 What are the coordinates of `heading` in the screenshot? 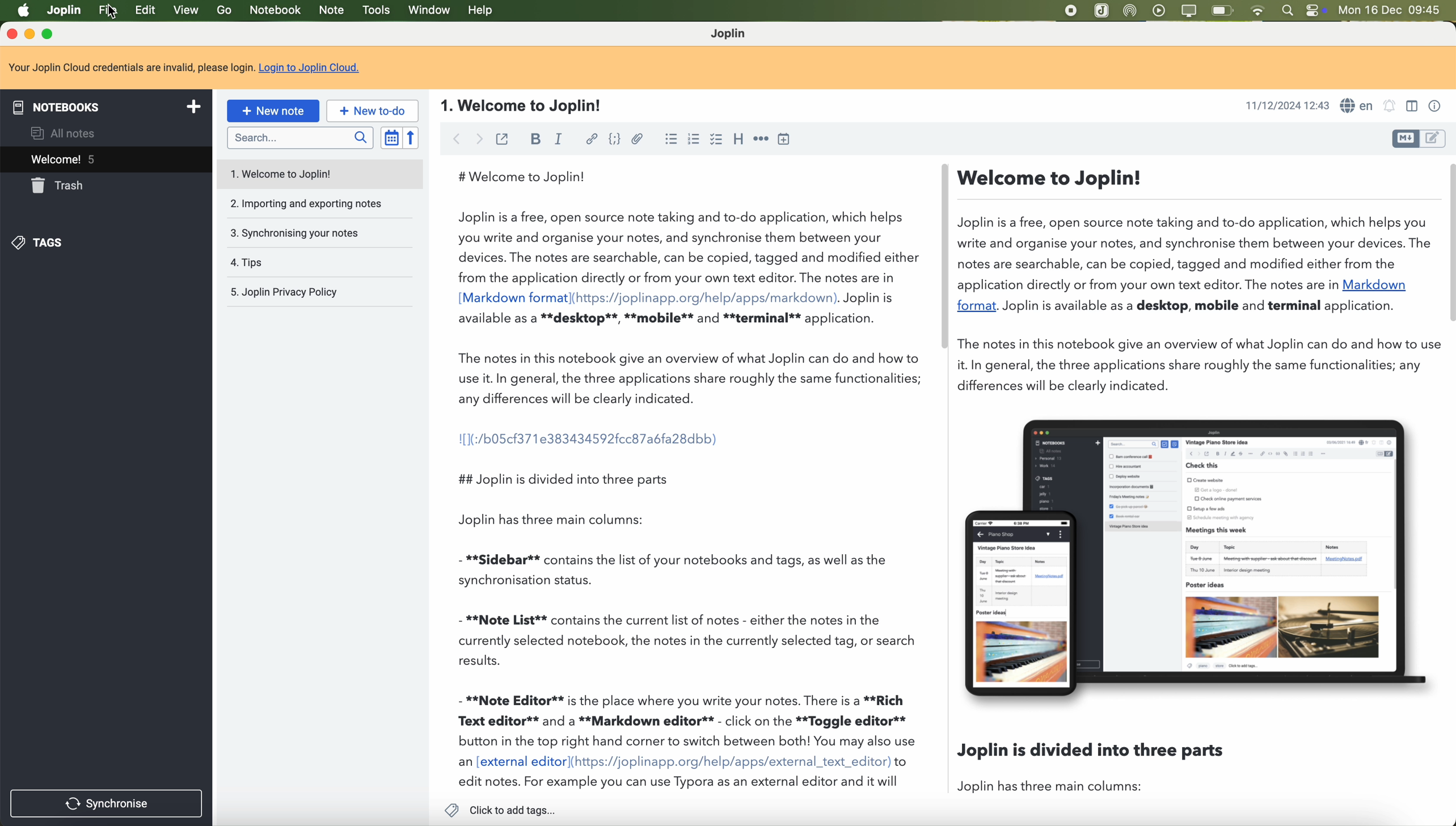 It's located at (740, 138).